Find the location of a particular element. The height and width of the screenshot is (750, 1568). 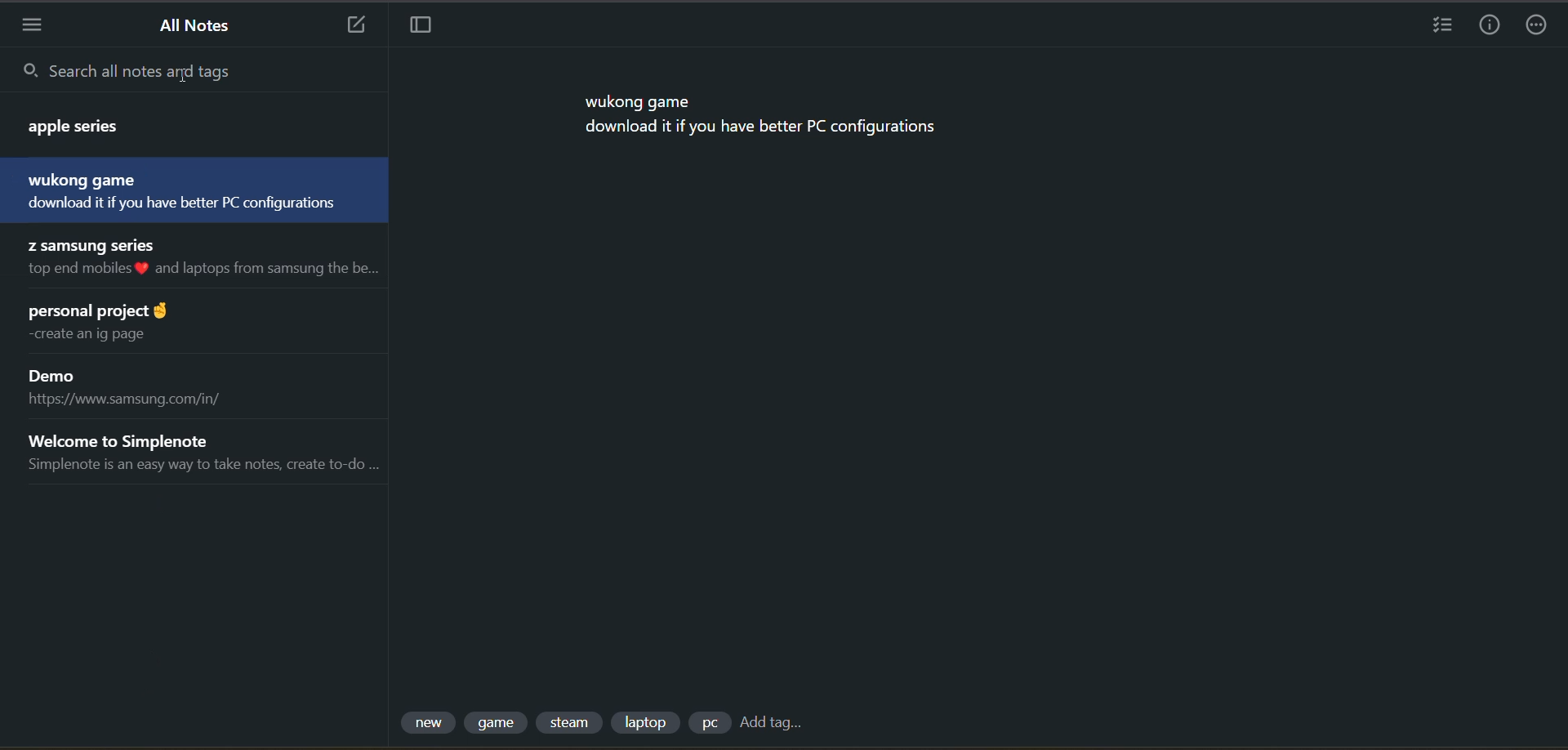

tag 1 is located at coordinates (426, 721).